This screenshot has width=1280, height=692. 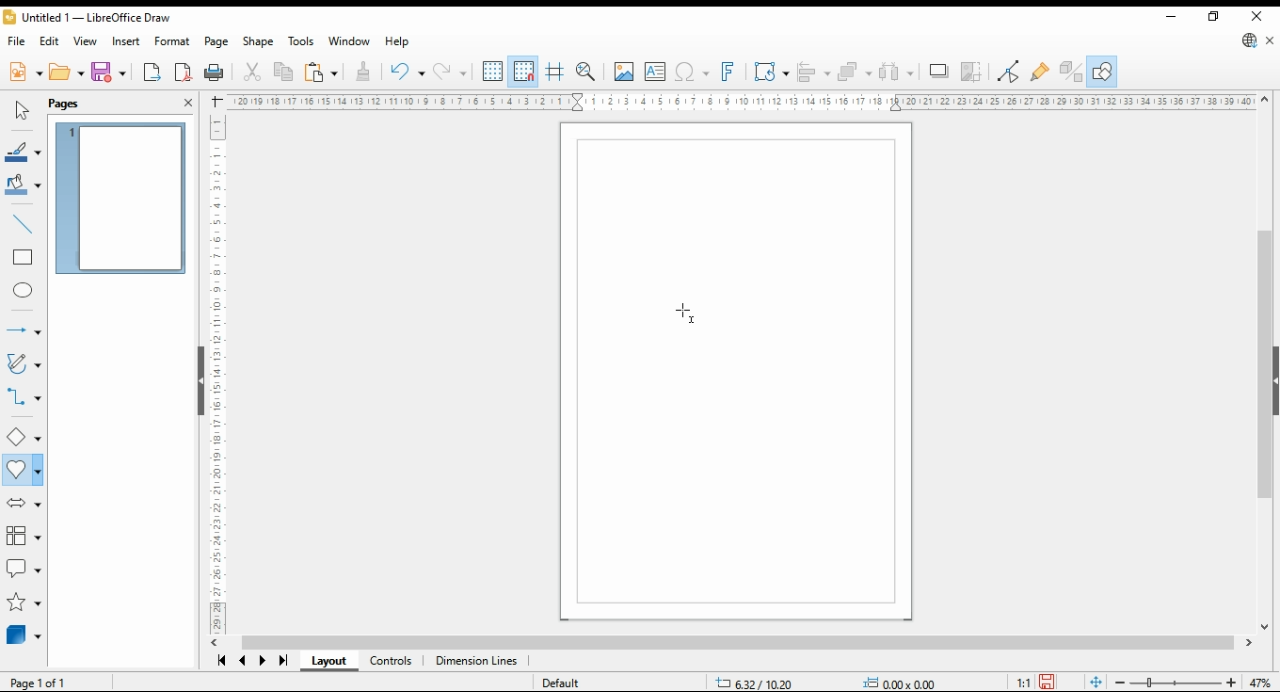 What do you see at coordinates (730, 72) in the screenshot?
I see `insert fontworks text` at bounding box center [730, 72].